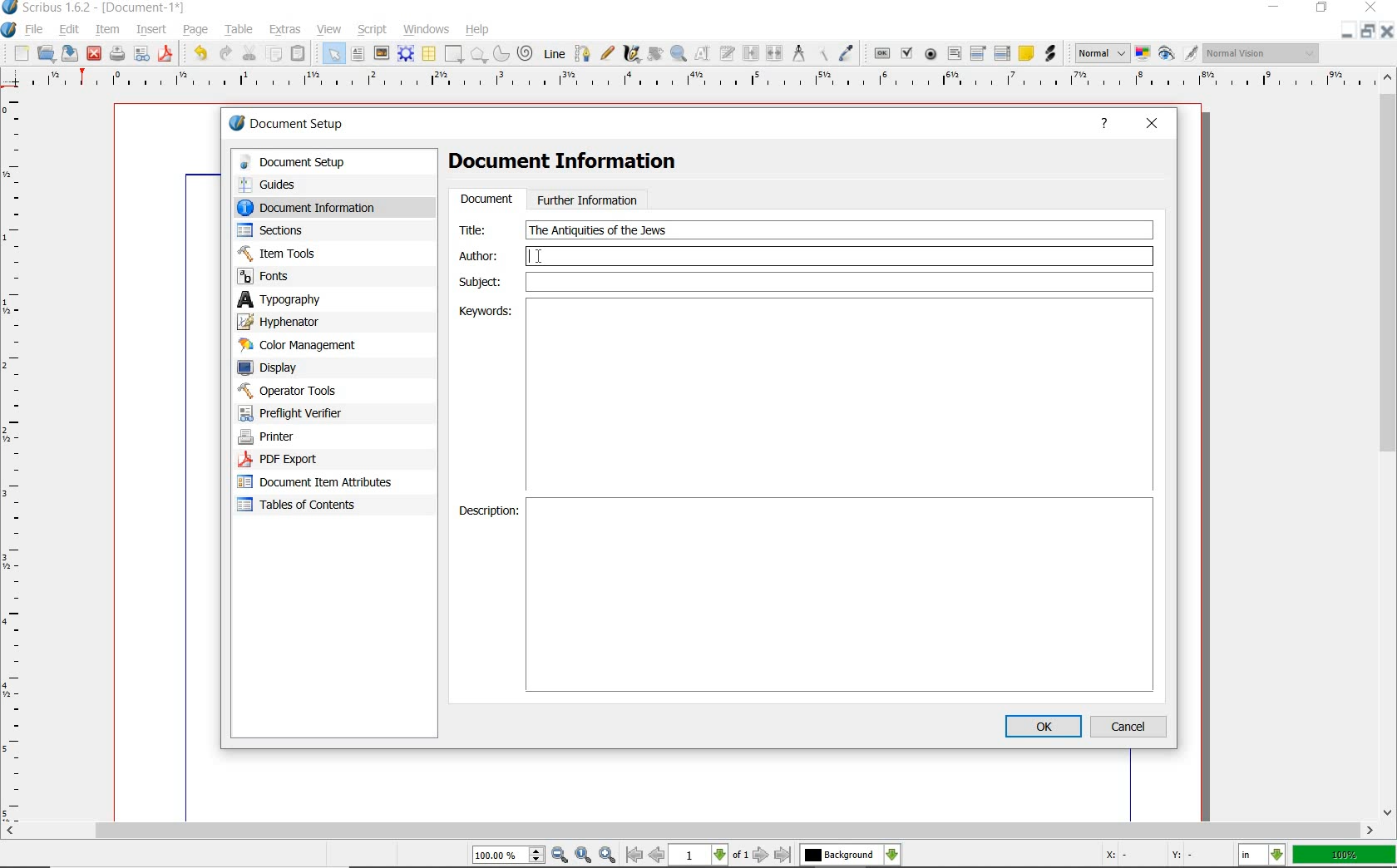  Describe the element at coordinates (842, 394) in the screenshot. I see `Keywords` at that location.